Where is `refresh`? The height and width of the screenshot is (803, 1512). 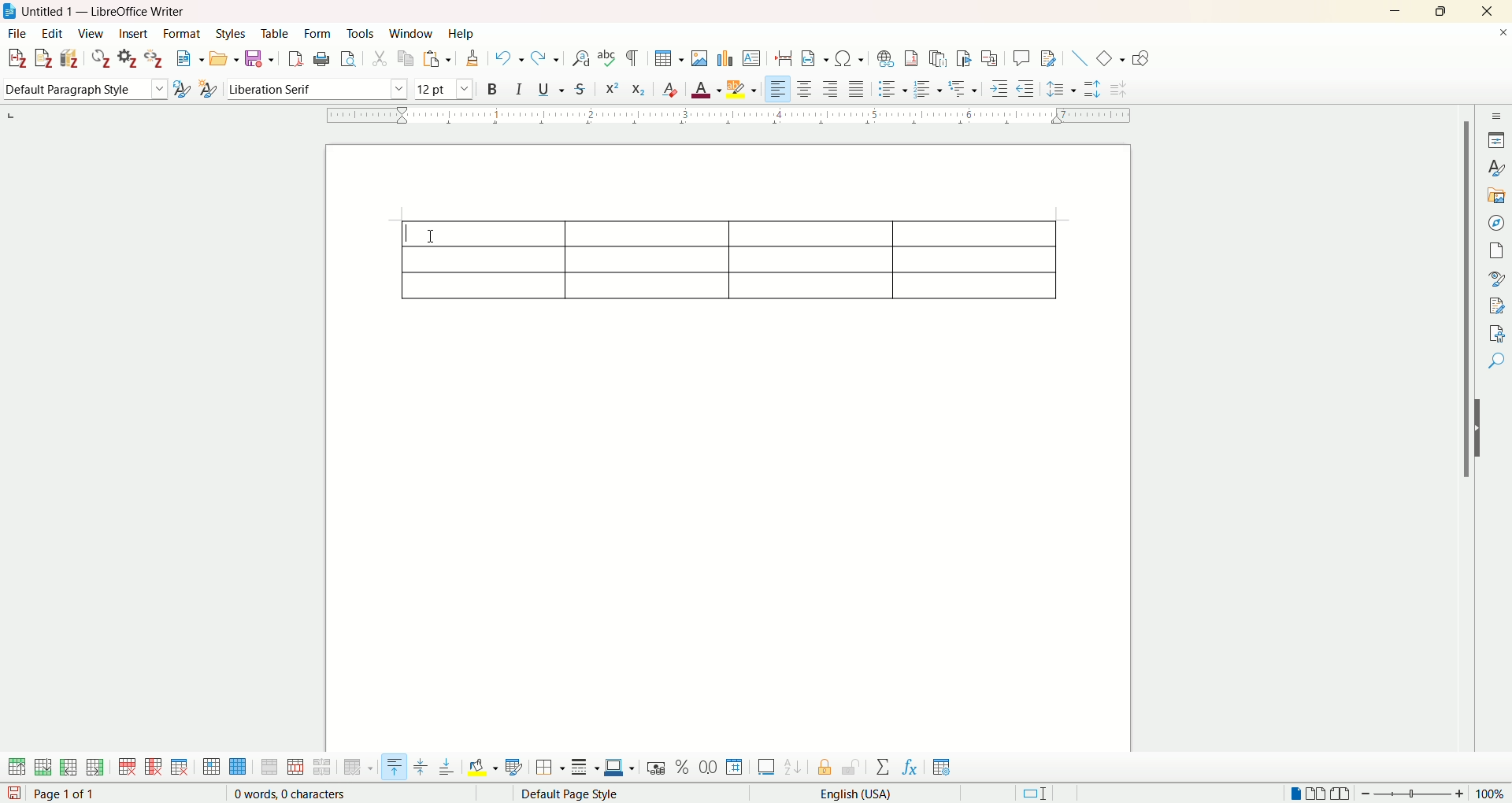
refresh is located at coordinates (101, 56).